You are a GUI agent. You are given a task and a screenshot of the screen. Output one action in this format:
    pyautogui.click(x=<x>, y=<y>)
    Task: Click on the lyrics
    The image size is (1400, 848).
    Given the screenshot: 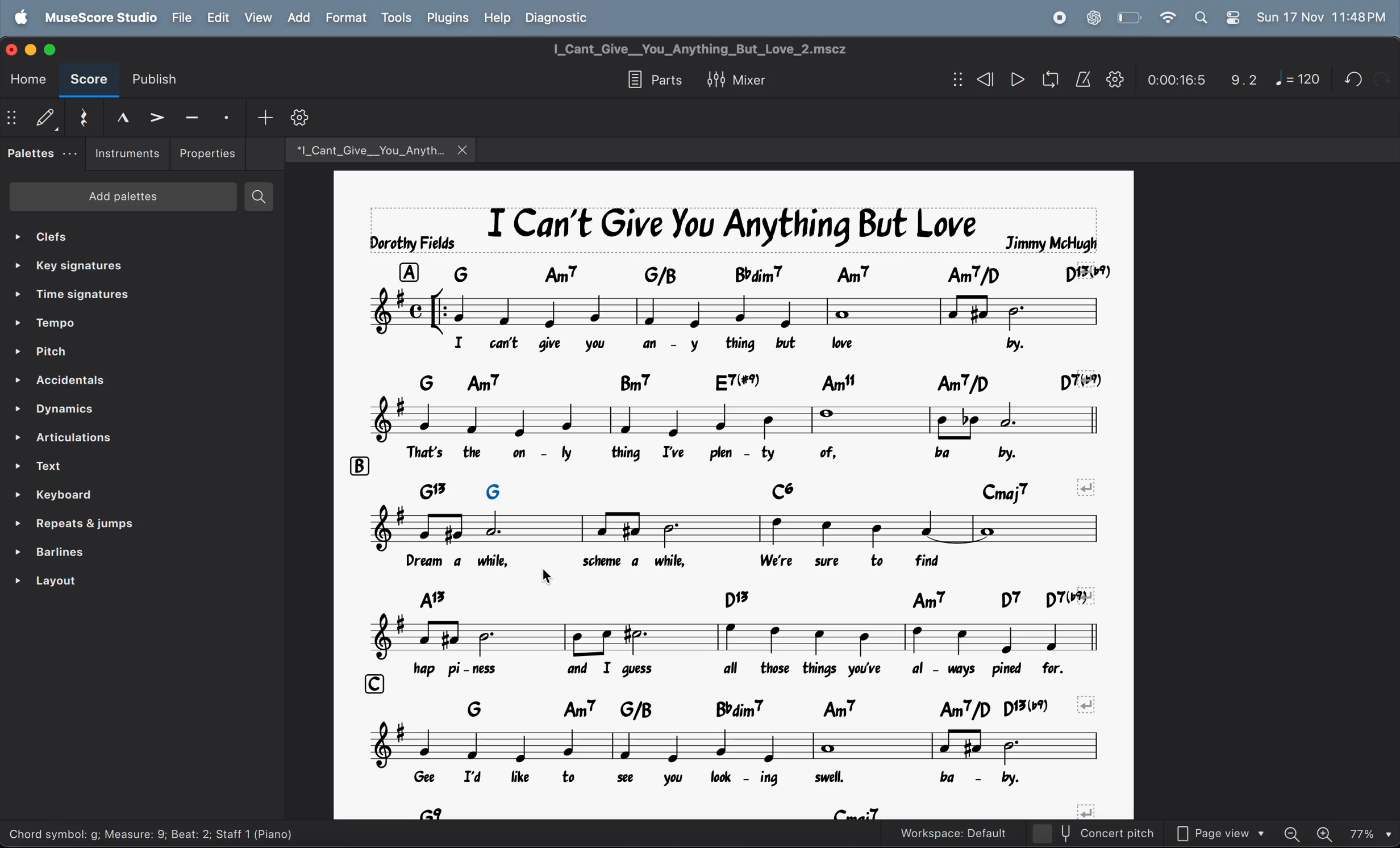 What is the action you would take?
    pyautogui.click(x=714, y=453)
    